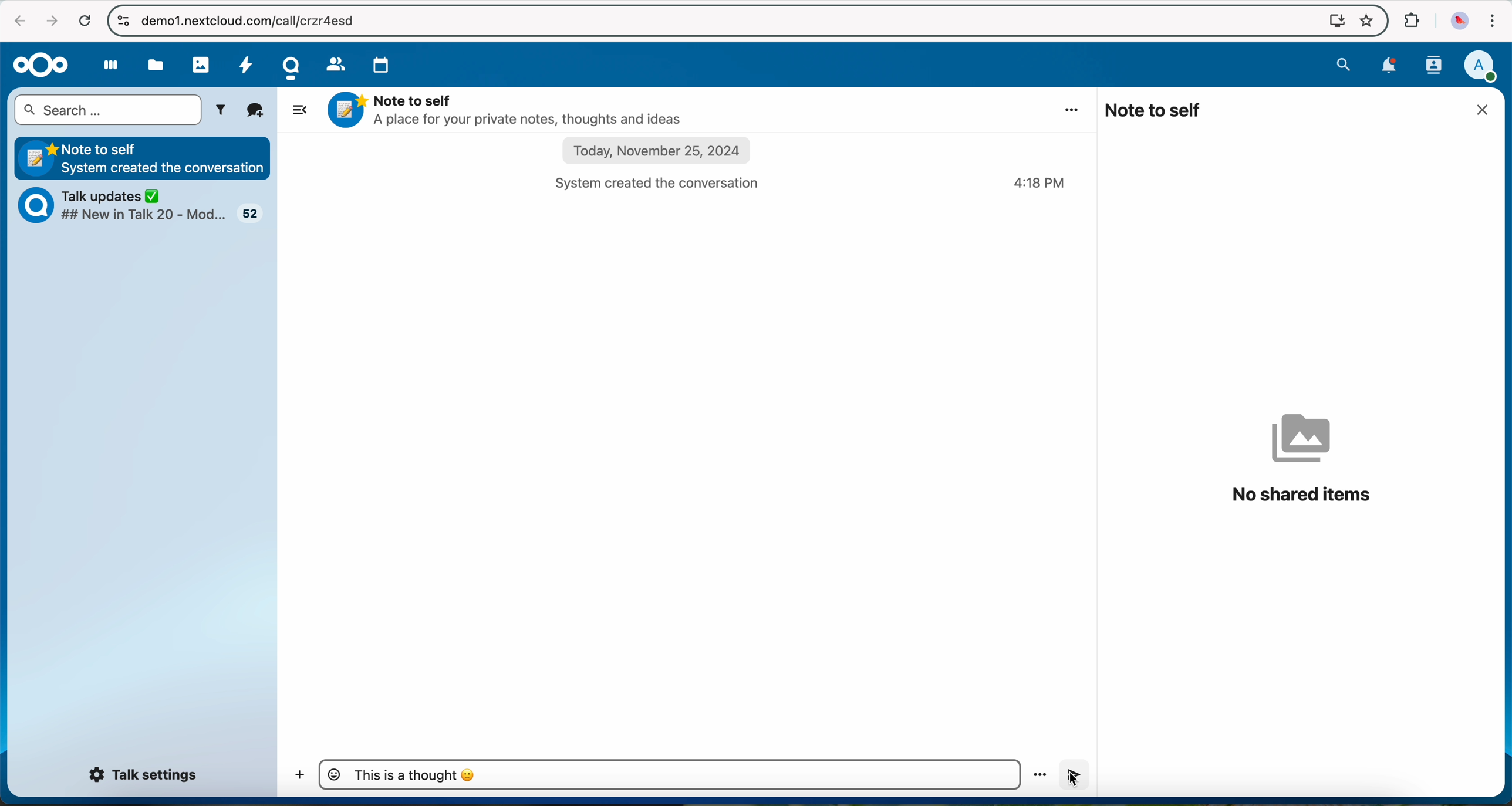 The width and height of the screenshot is (1512, 806). I want to click on filters, so click(223, 110).